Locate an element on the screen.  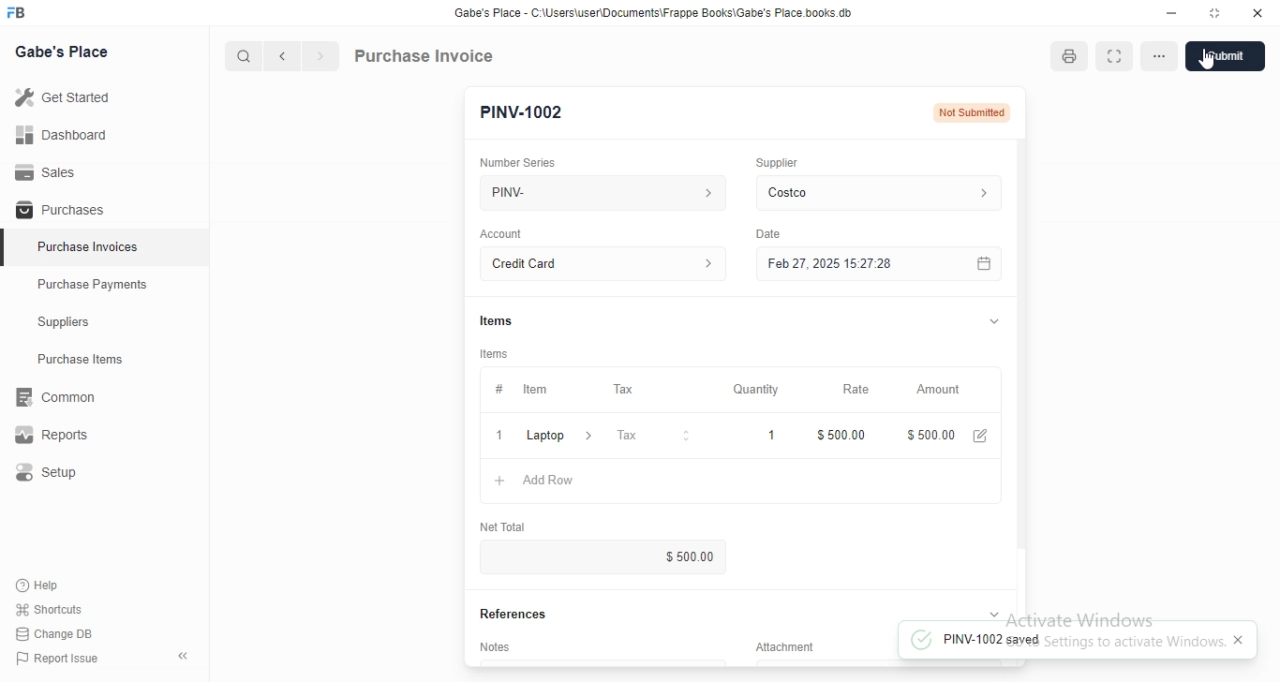
References is located at coordinates (513, 614).